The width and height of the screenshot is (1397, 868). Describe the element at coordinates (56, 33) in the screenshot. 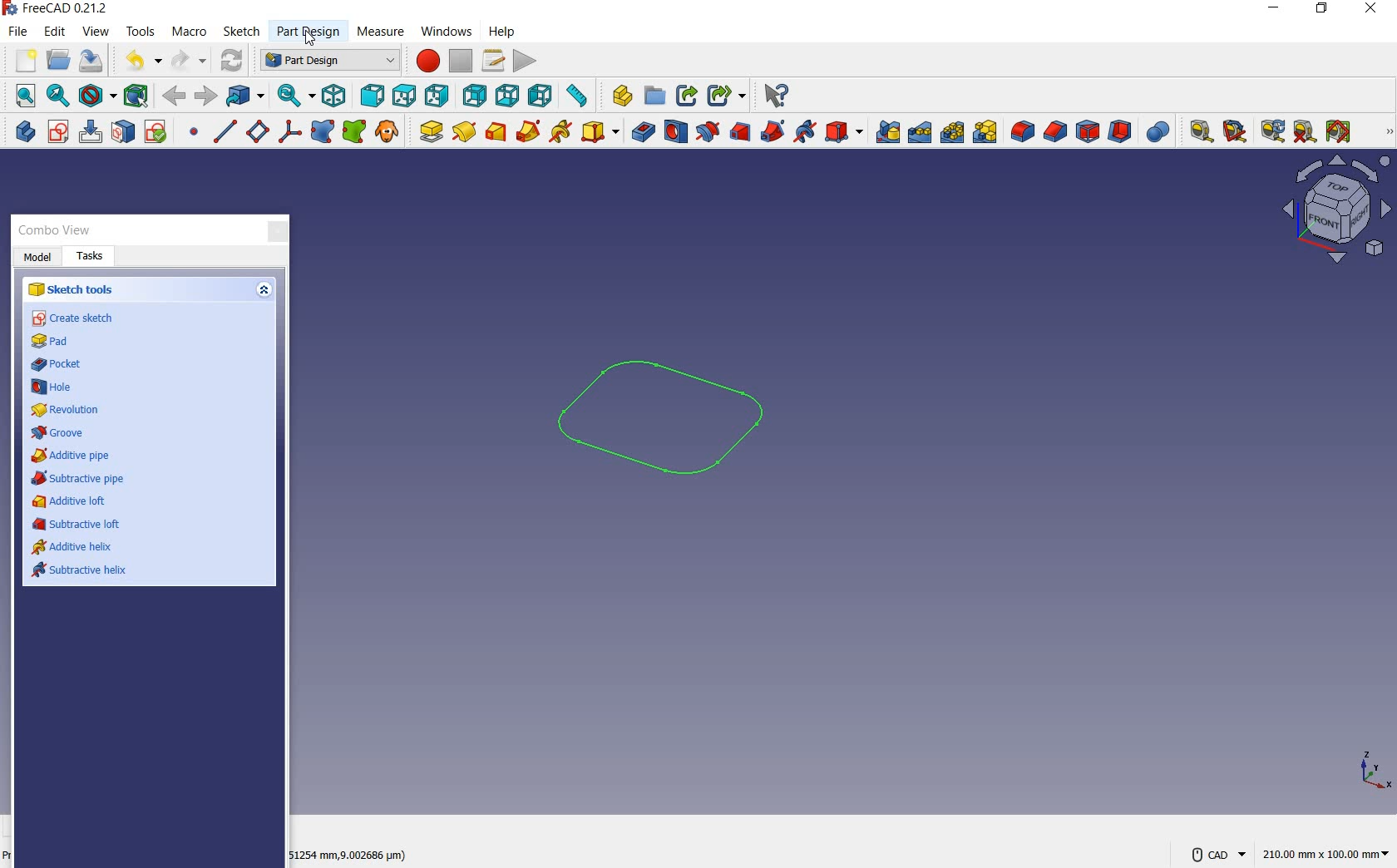

I see `edit` at that location.